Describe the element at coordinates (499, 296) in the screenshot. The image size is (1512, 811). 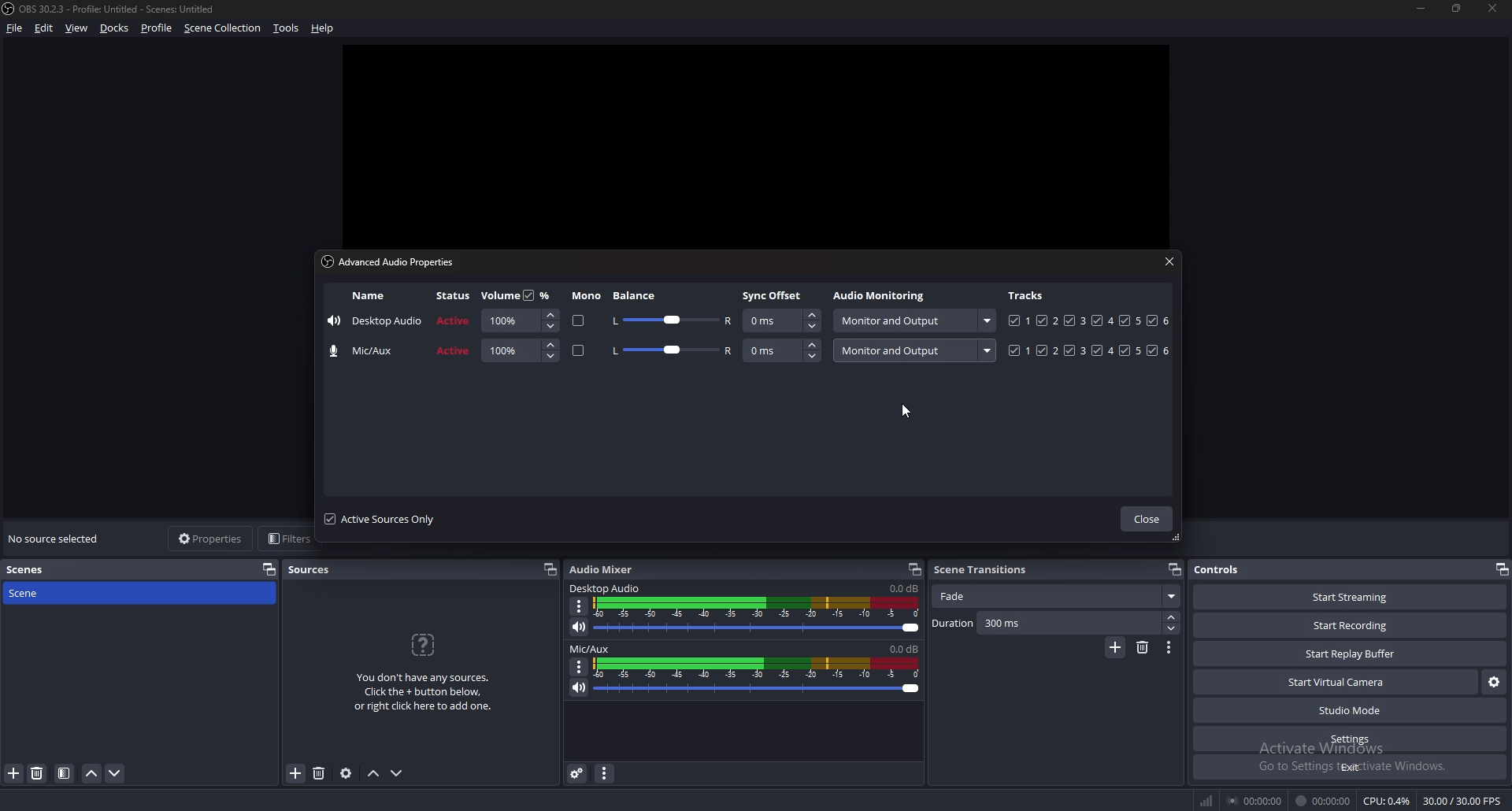
I see `volume` at that location.